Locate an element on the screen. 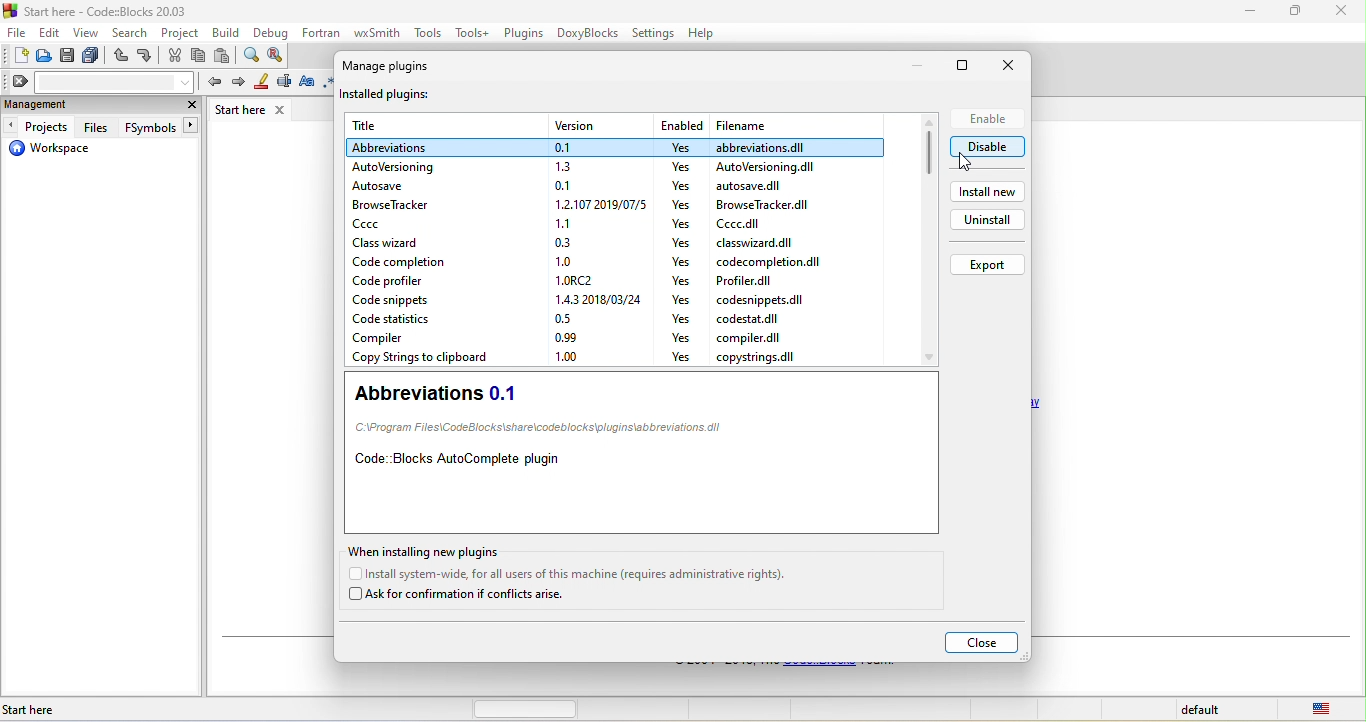 Image resolution: width=1366 pixels, height=722 pixels. version  is located at coordinates (567, 354).